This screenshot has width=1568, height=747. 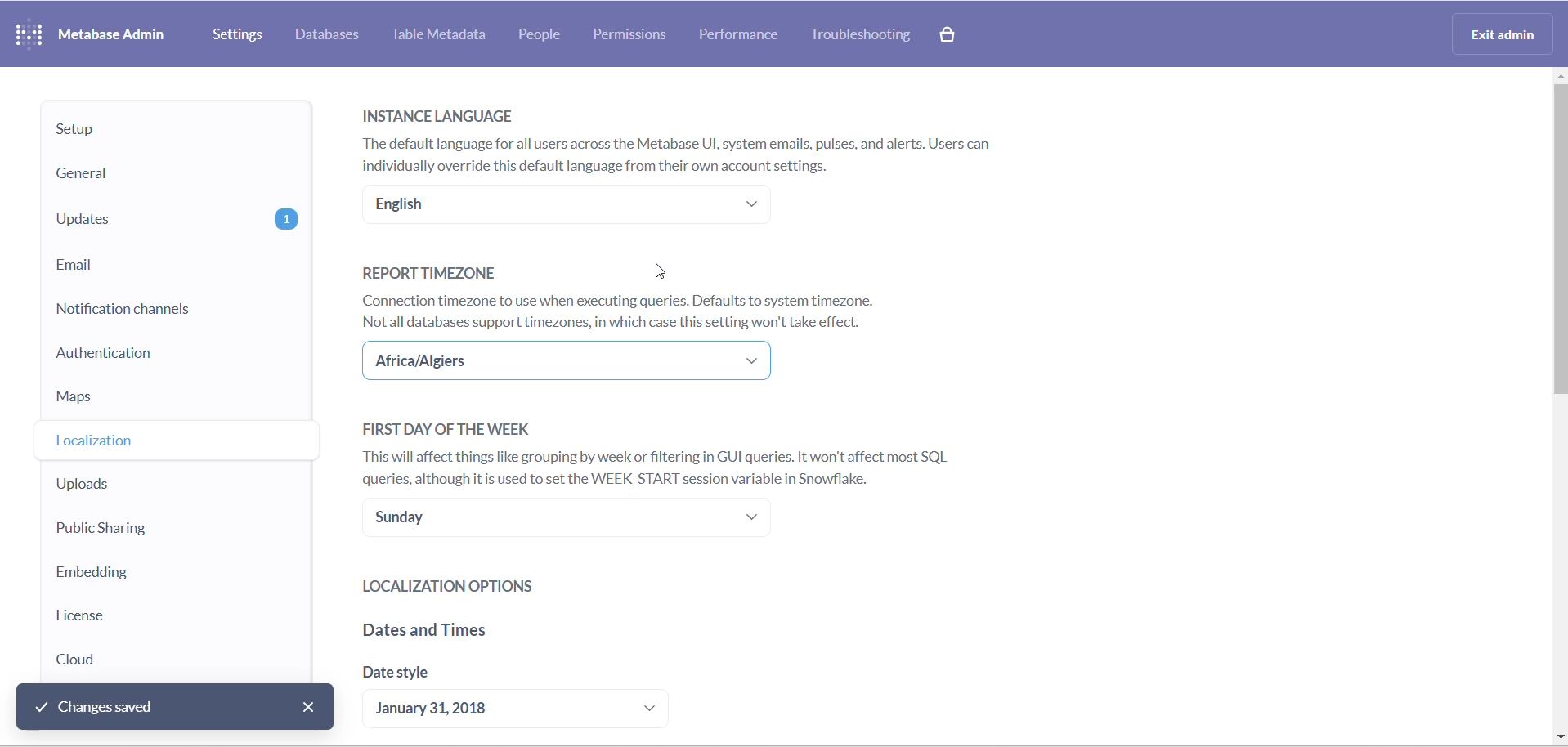 What do you see at coordinates (691, 136) in the screenshot?
I see `INSTANCE LANGUAGE
The default language for all users across the Metabase UI, system emails, pulses, and alerts. Users can
individually override this default language from their own account settings.` at bounding box center [691, 136].